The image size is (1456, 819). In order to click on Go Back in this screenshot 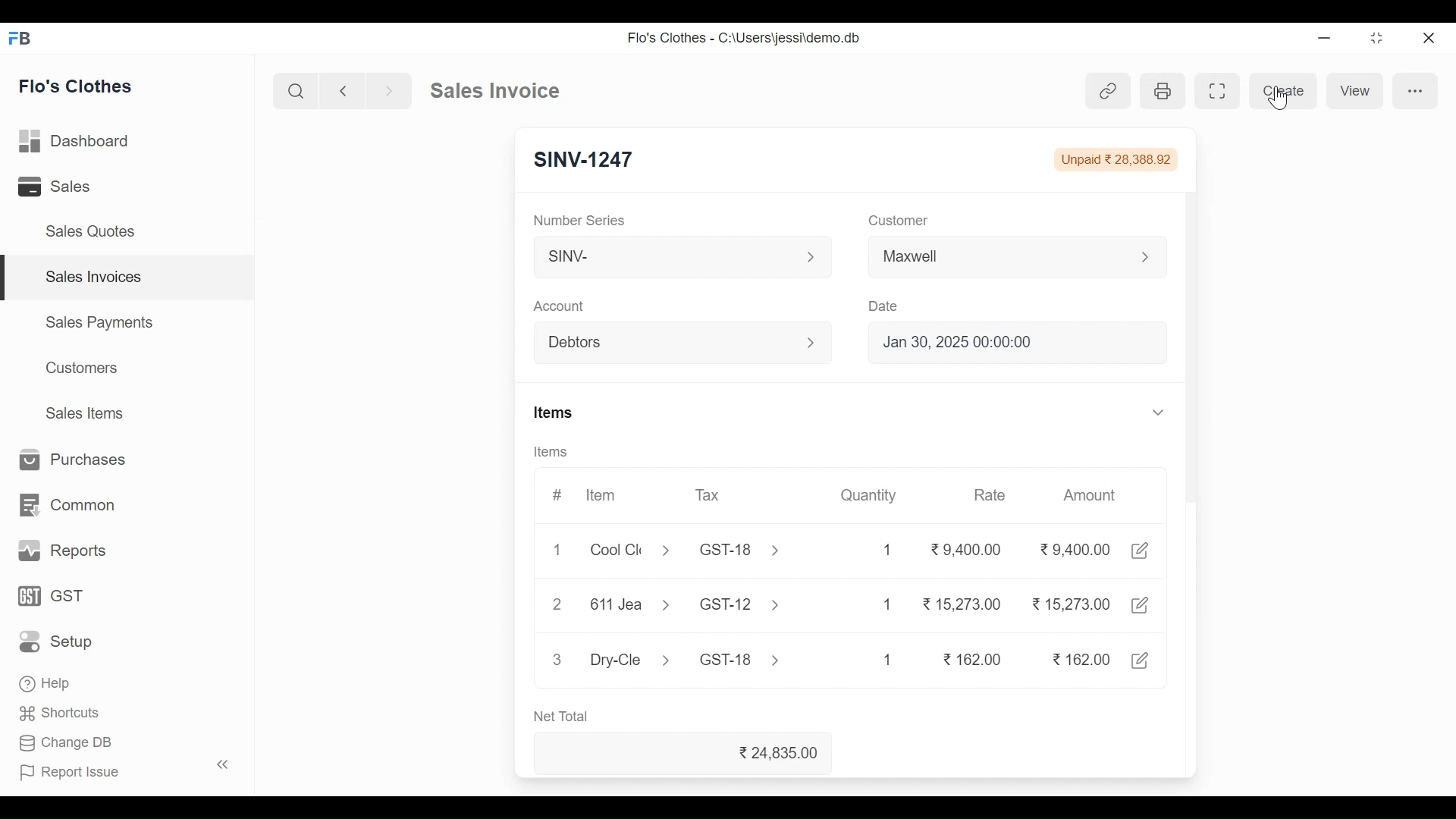, I will do `click(343, 91)`.